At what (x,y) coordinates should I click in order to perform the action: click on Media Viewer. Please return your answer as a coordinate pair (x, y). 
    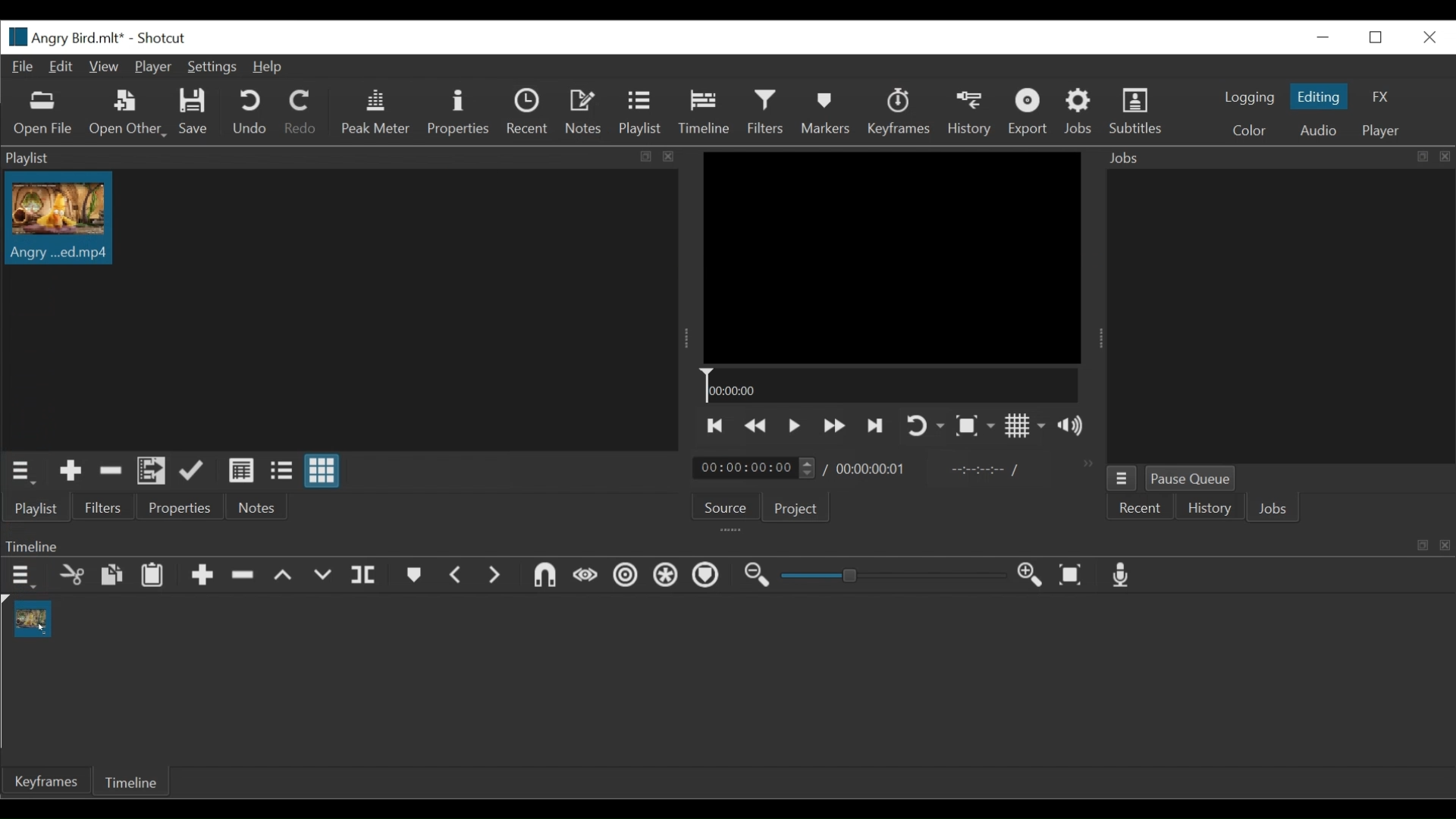
    Looking at the image, I should click on (891, 257).